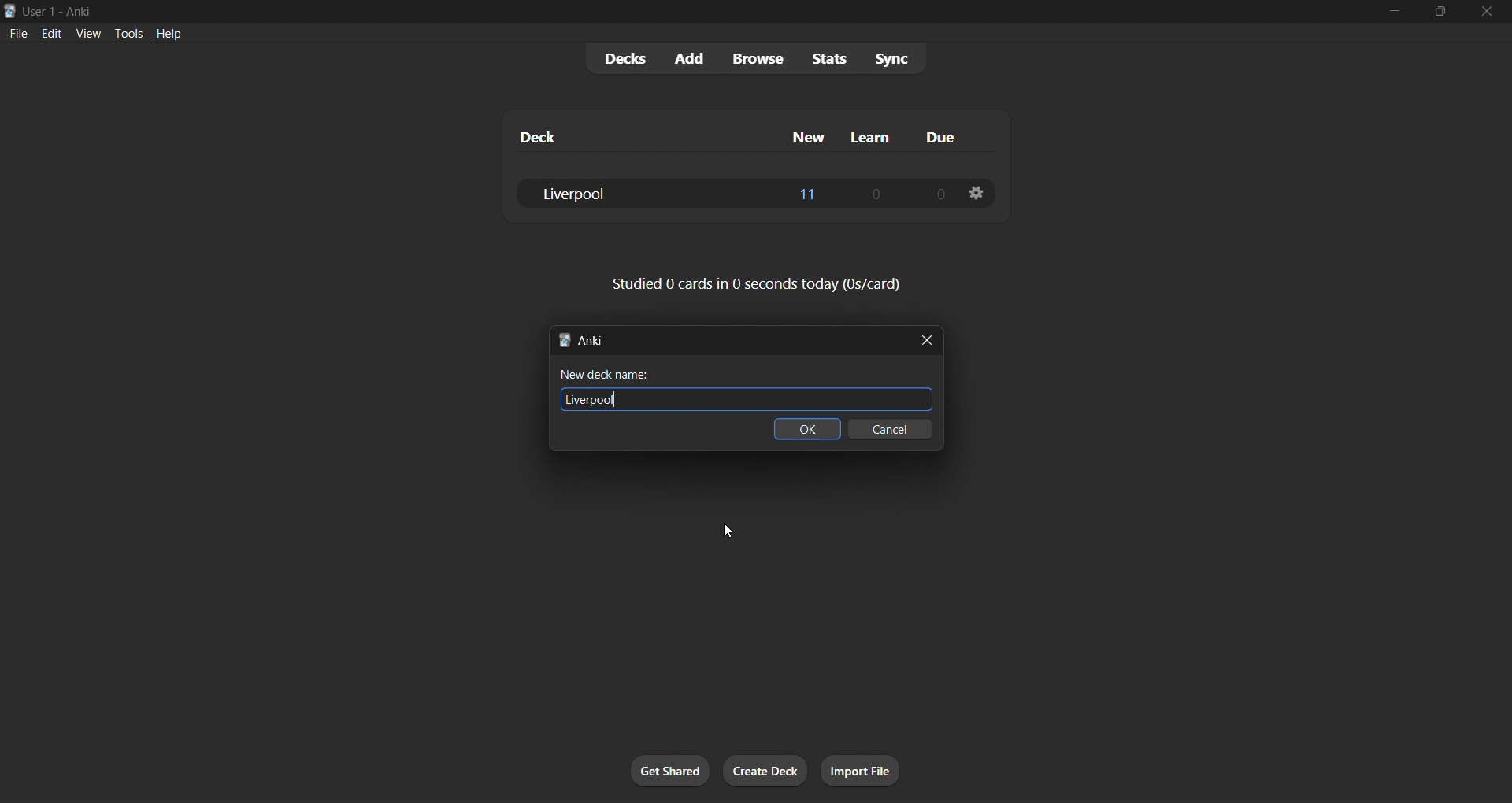 This screenshot has width=1512, height=803. Describe the element at coordinates (873, 136) in the screenshot. I see `learn column` at that location.